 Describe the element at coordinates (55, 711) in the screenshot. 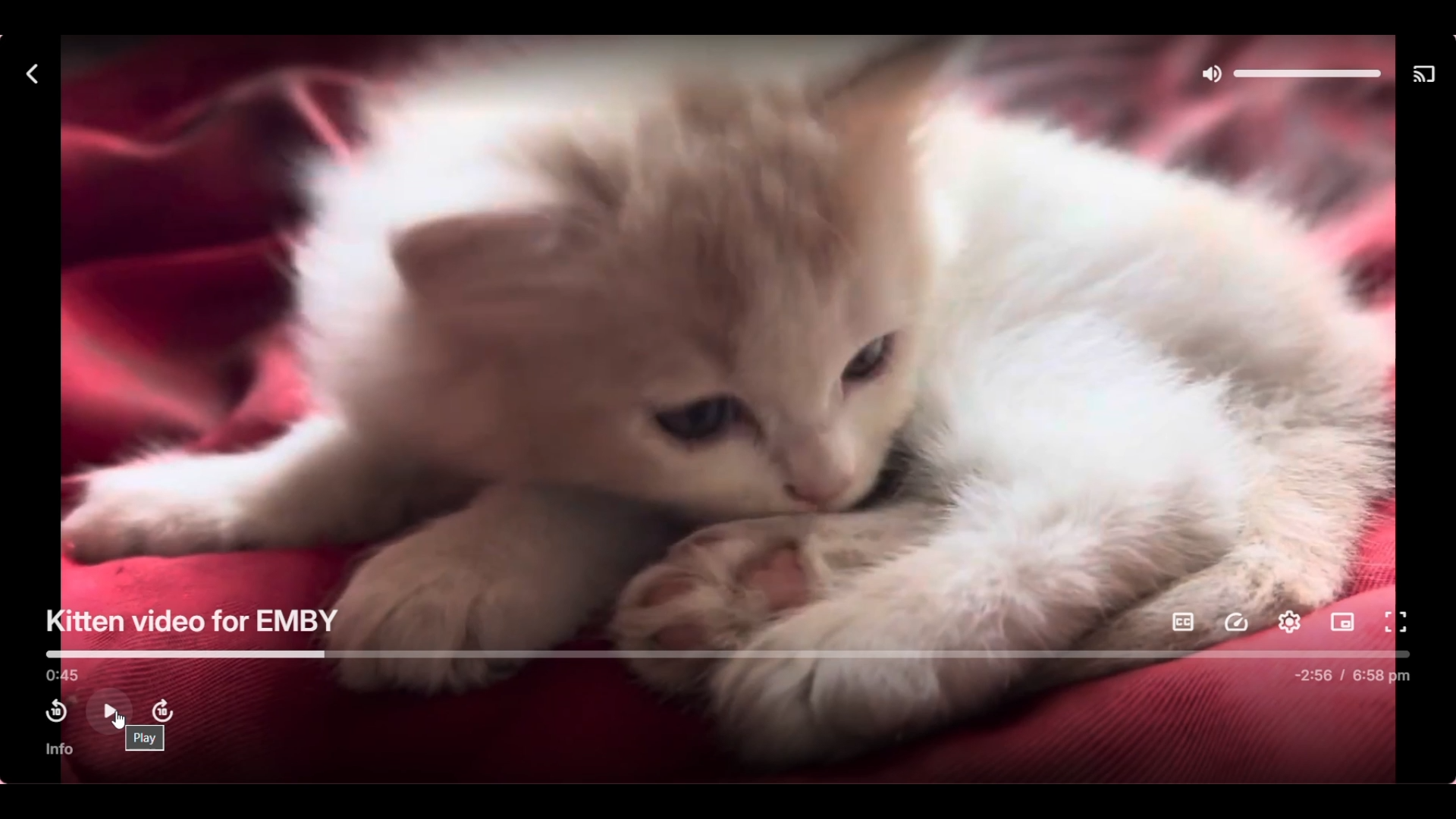

I see `Rewind by 10 seconds` at that location.